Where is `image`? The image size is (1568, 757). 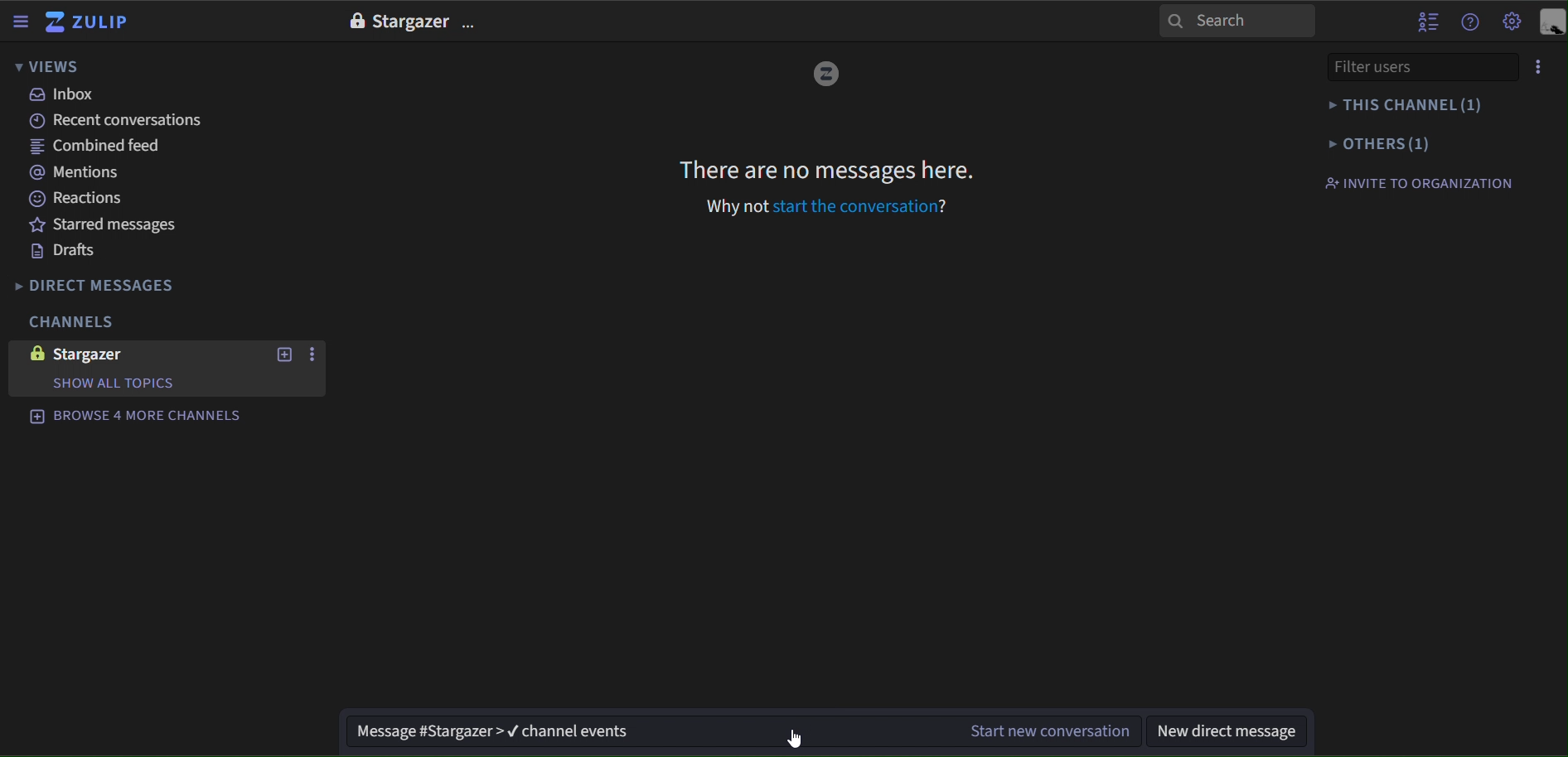
image is located at coordinates (33, 353).